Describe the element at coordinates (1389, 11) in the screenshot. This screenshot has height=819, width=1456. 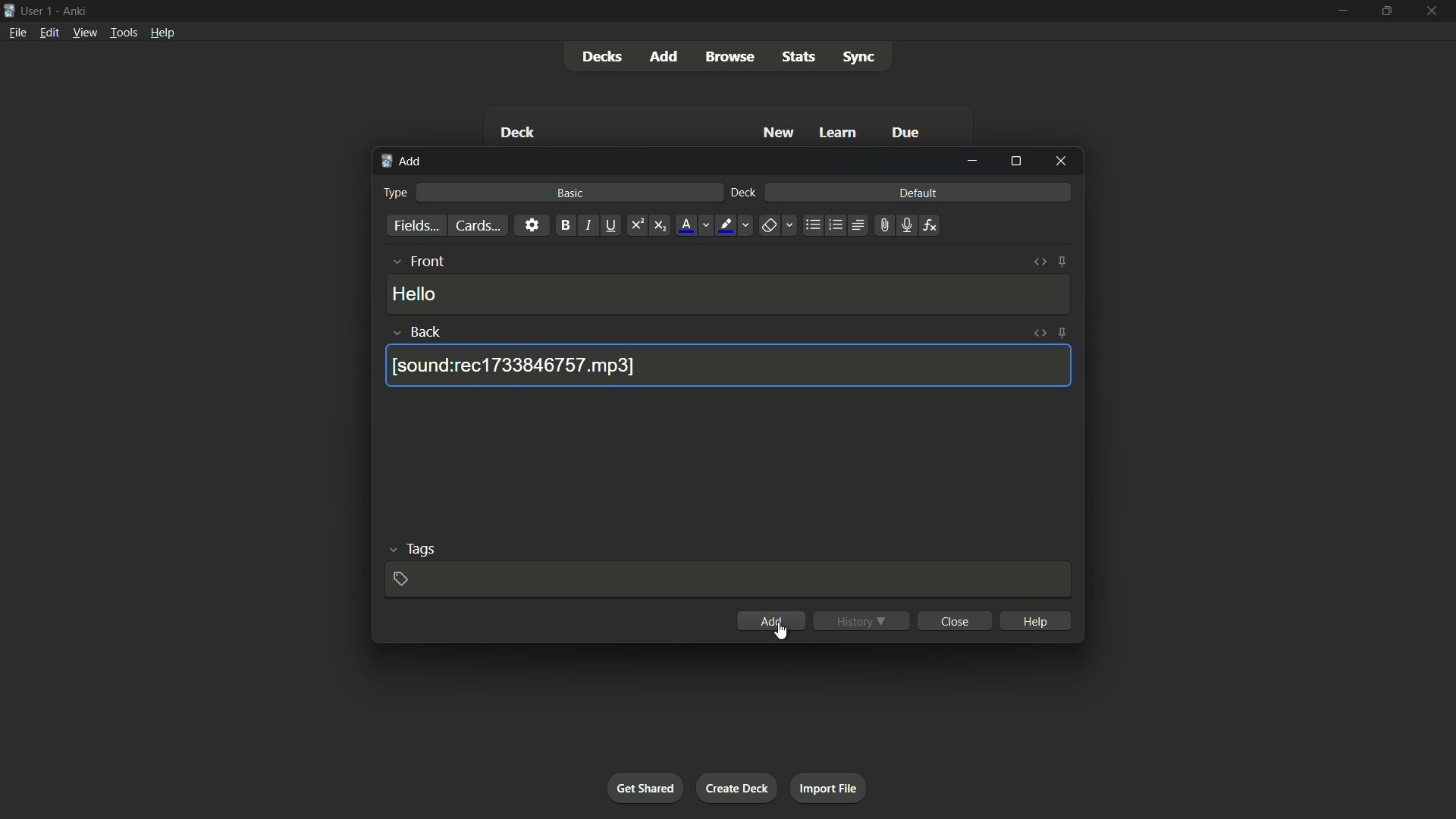
I see `maximize` at that location.